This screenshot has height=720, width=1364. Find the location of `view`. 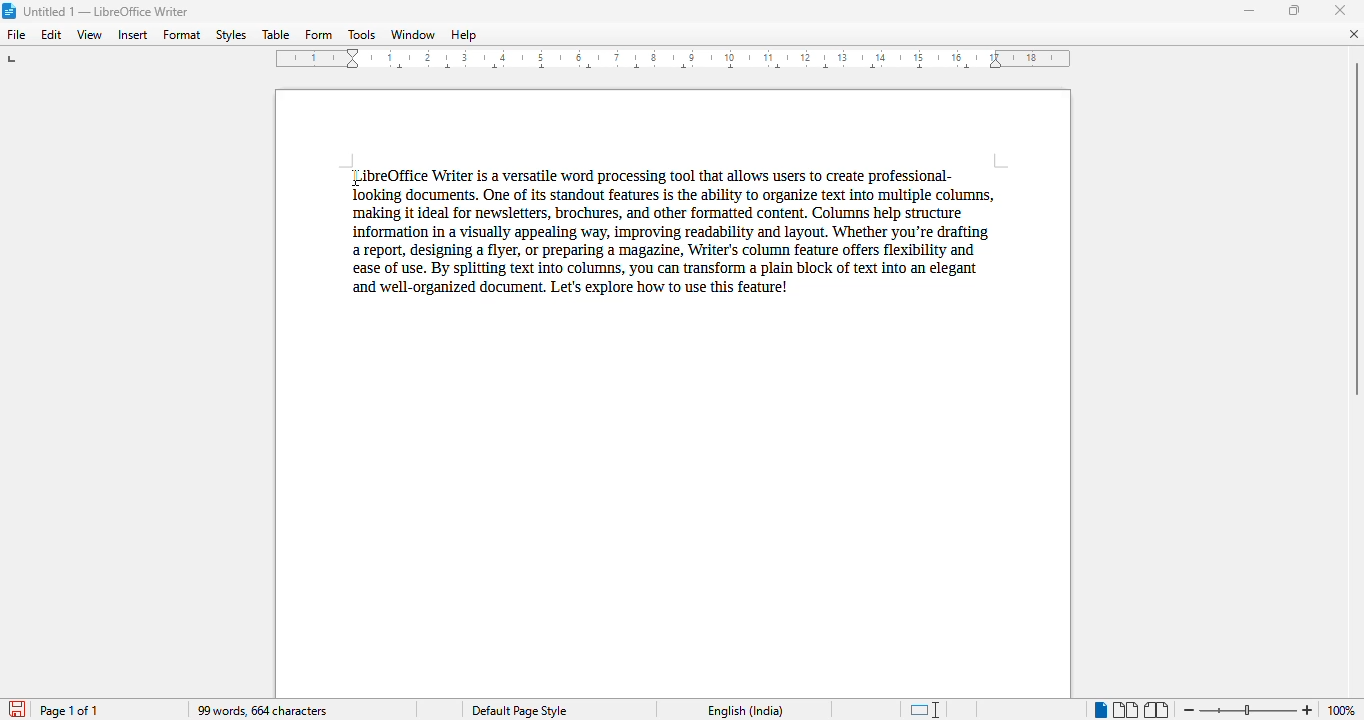

view is located at coordinates (90, 33).